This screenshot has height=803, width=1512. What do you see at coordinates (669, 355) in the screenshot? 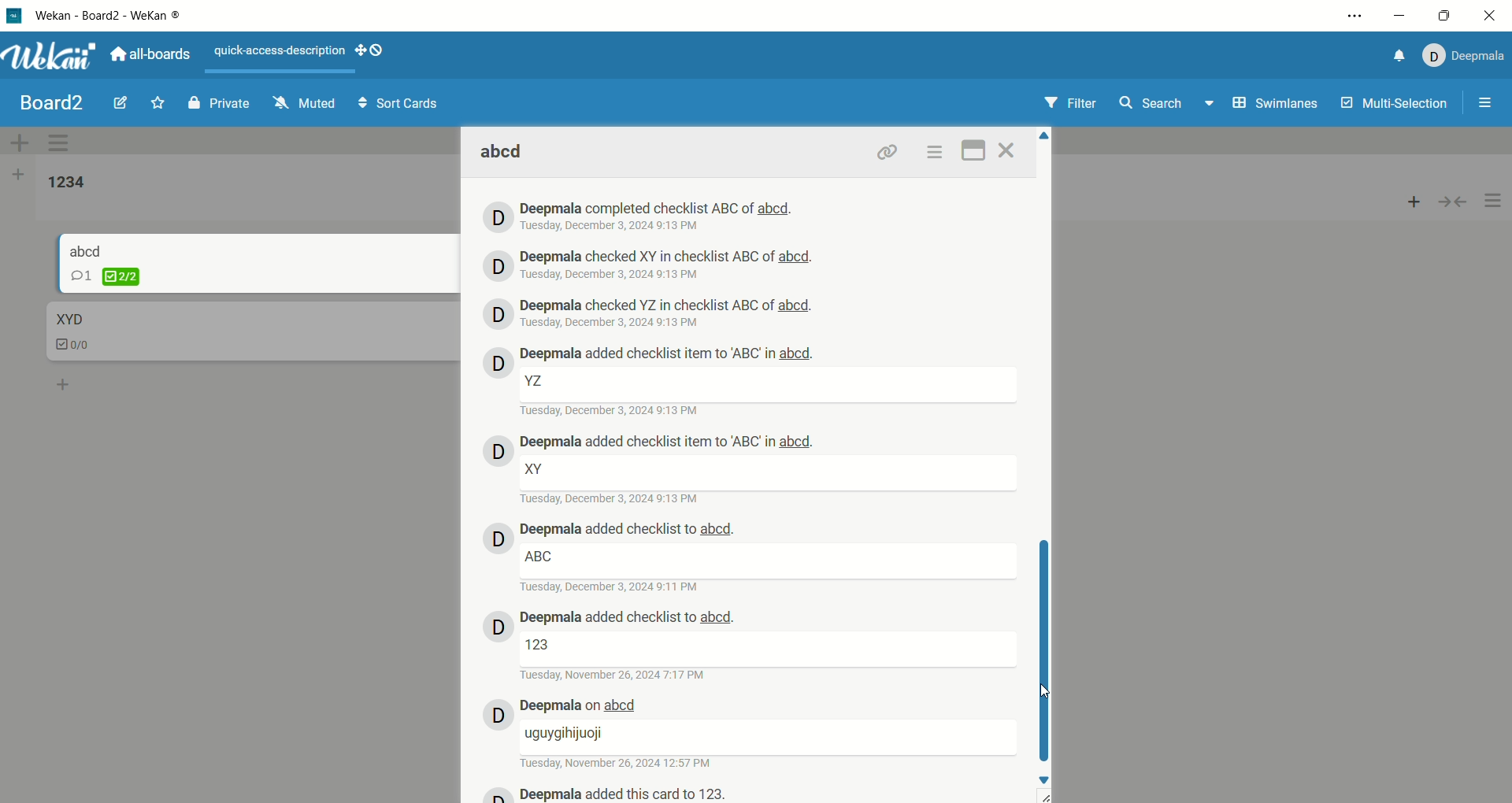
I see `deepmala history` at bounding box center [669, 355].